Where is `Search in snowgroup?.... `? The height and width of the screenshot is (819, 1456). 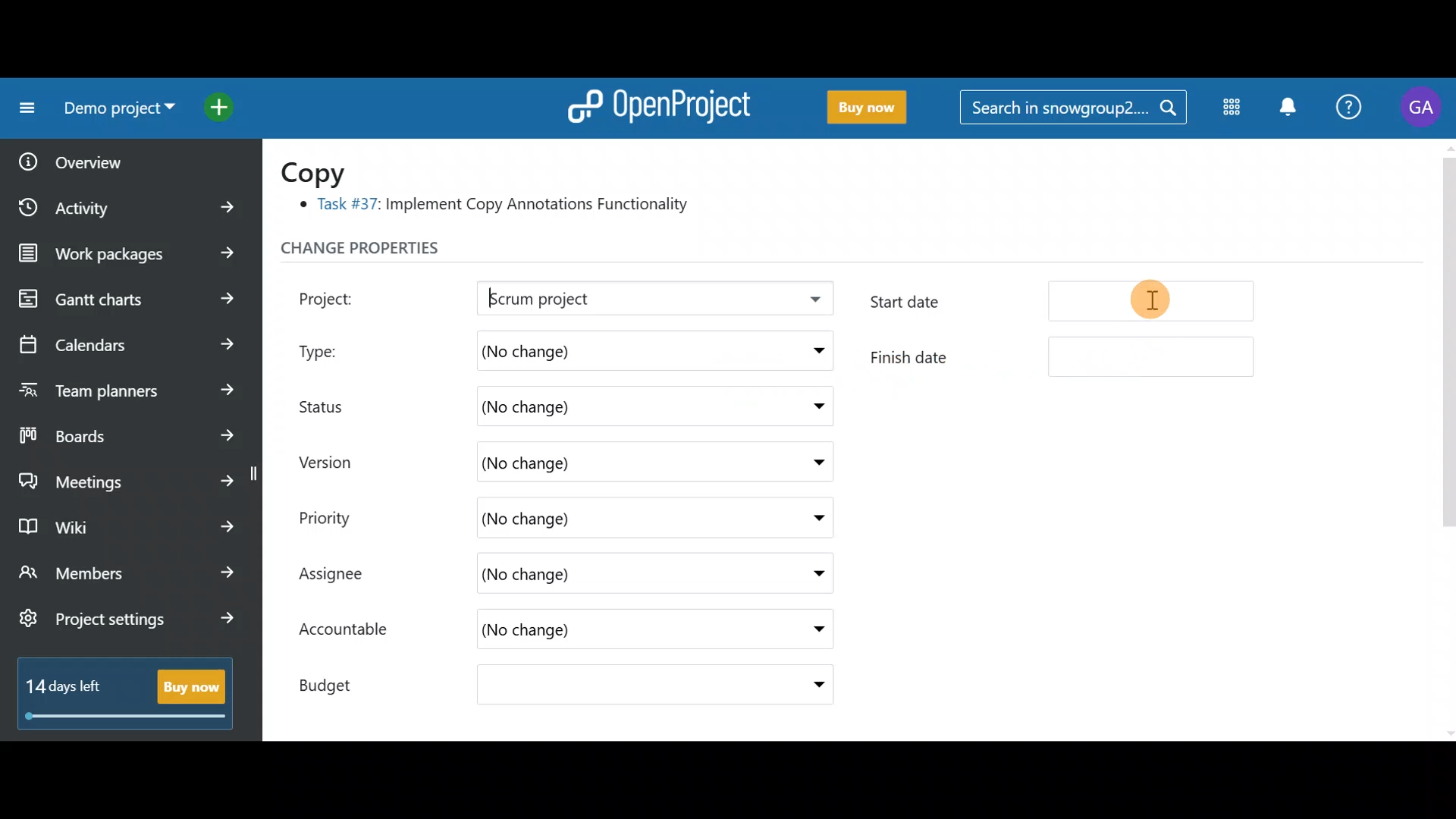
Search in snowgroup?....  is located at coordinates (1077, 108).